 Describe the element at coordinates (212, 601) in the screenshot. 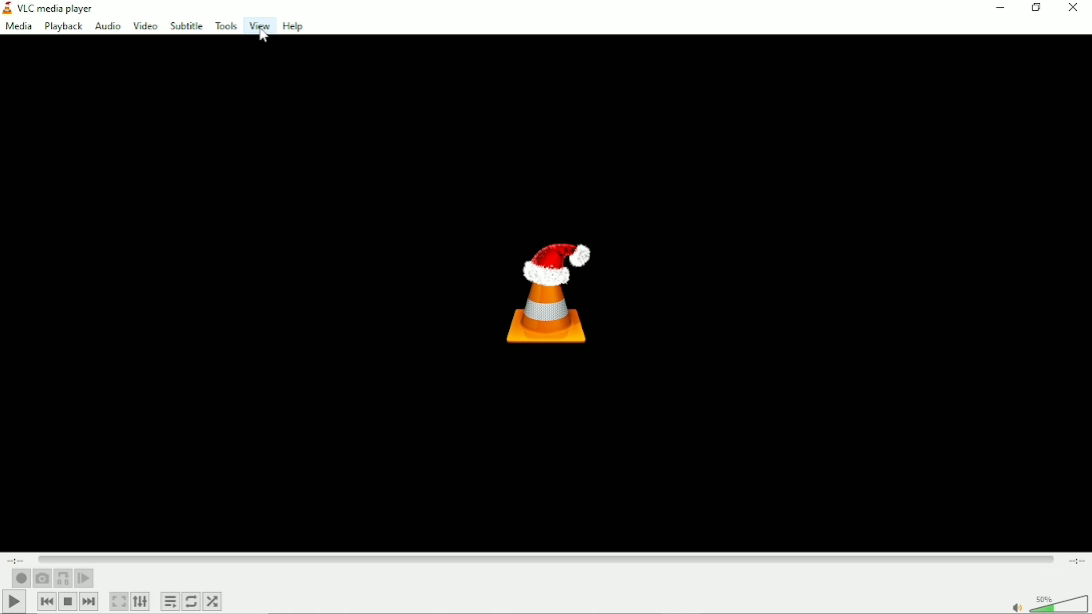

I see `Random` at that location.